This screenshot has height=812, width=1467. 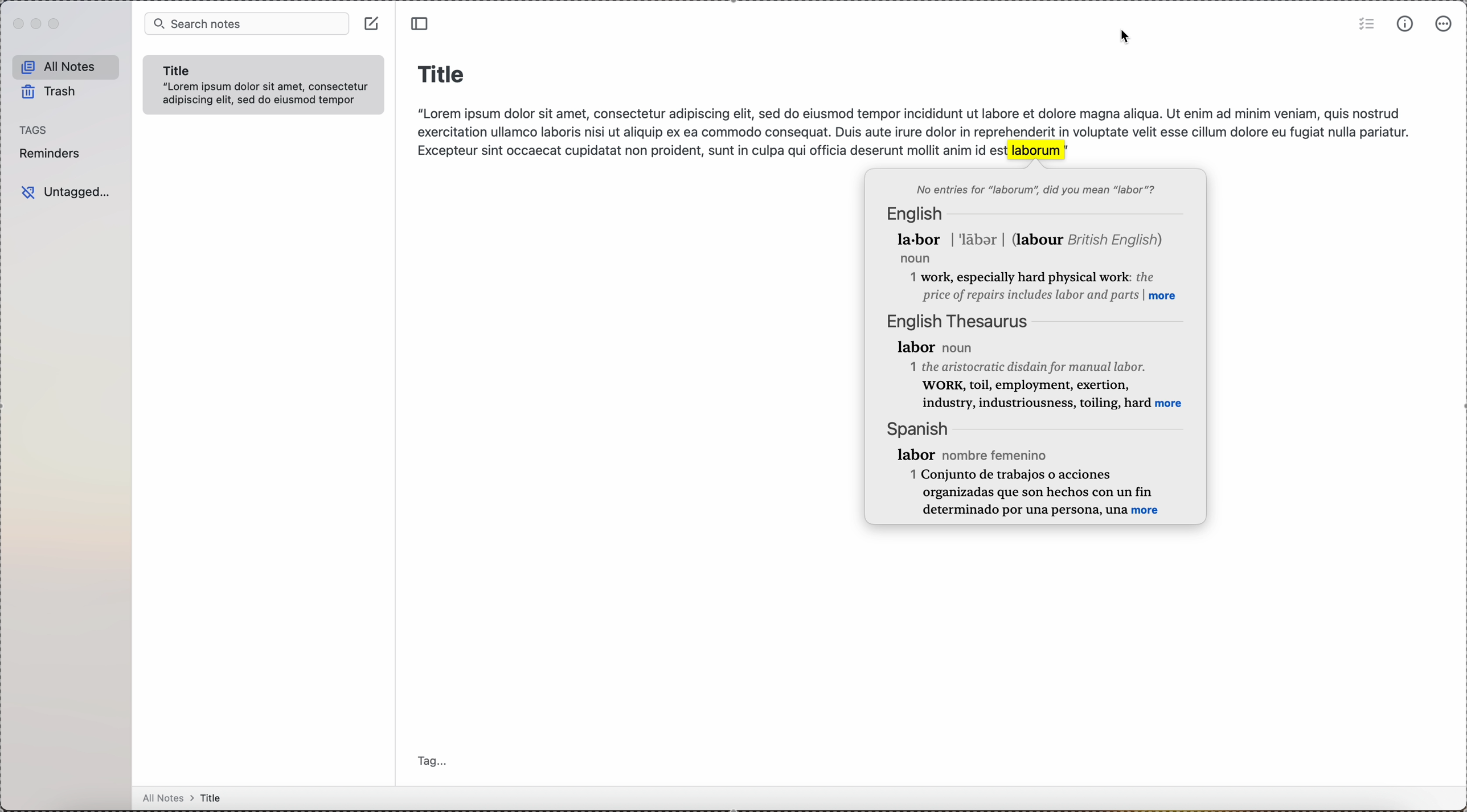 What do you see at coordinates (1033, 252) in the screenshot?
I see `english` at bounding box center [1033, 252].